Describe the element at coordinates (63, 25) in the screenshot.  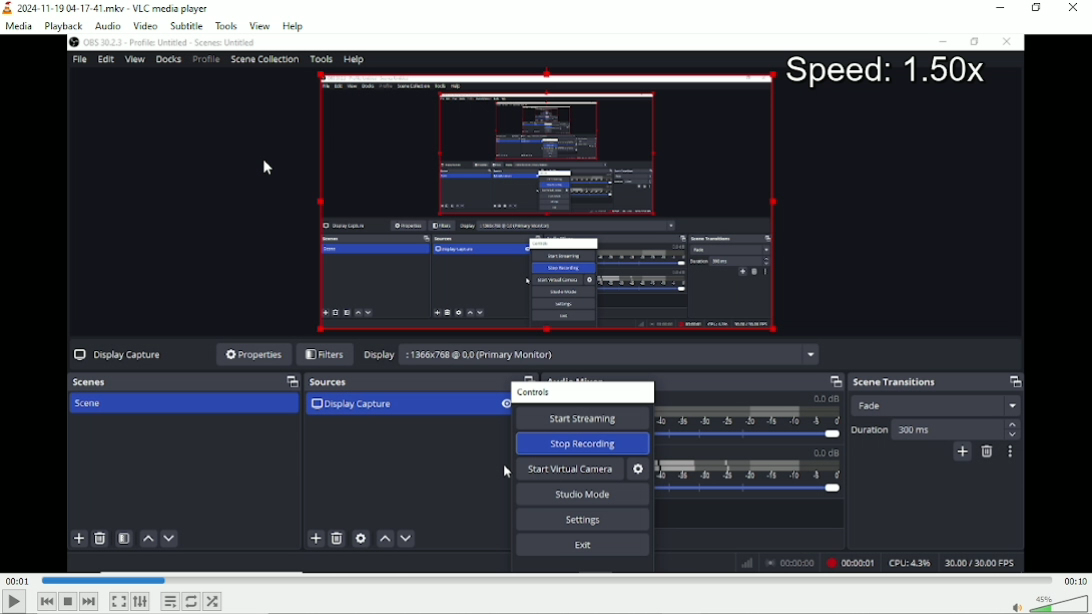
I see `playback` at that location.